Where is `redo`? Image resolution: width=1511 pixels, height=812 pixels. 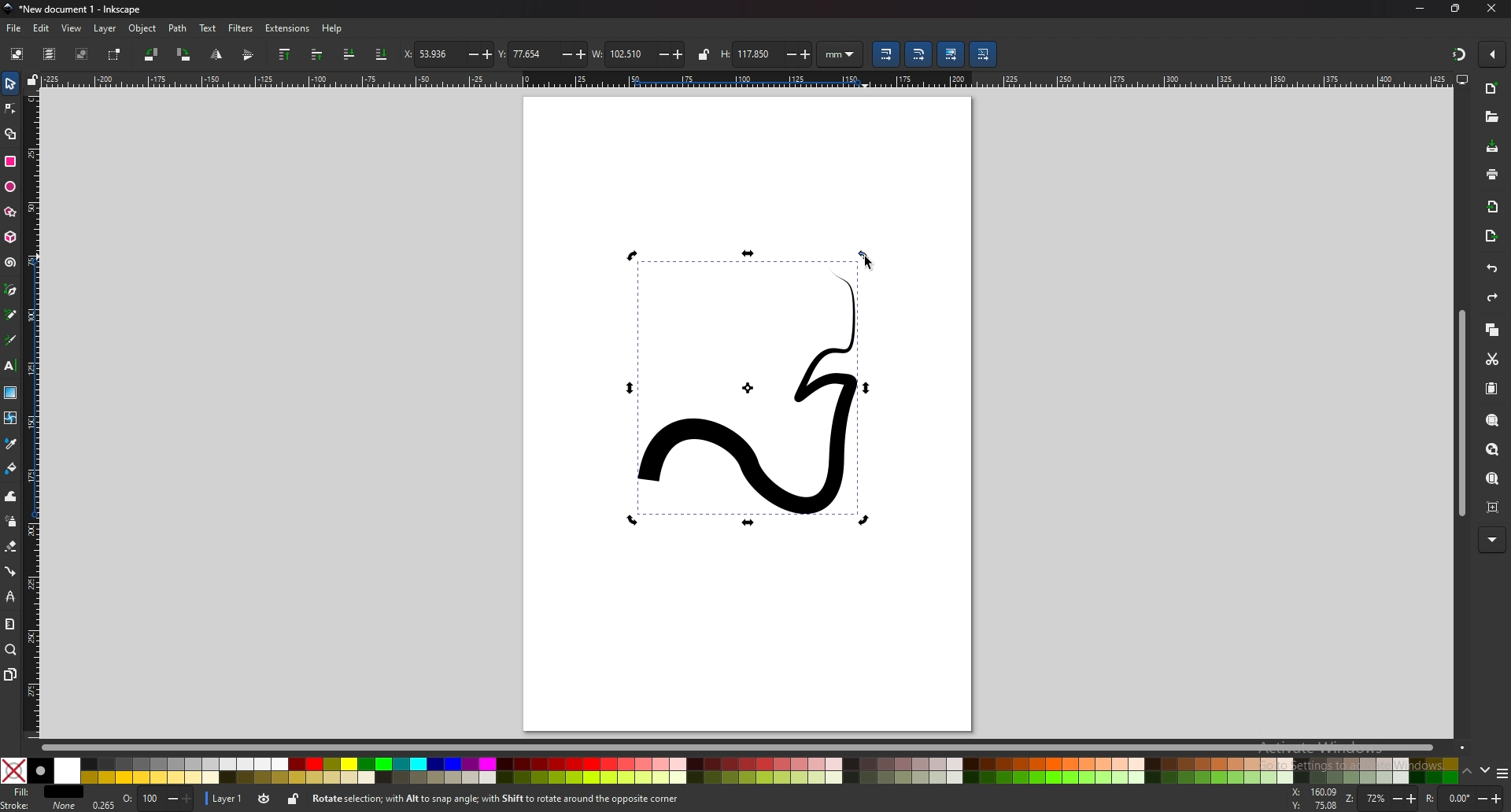
redo is located at coordinates (1494, 297).